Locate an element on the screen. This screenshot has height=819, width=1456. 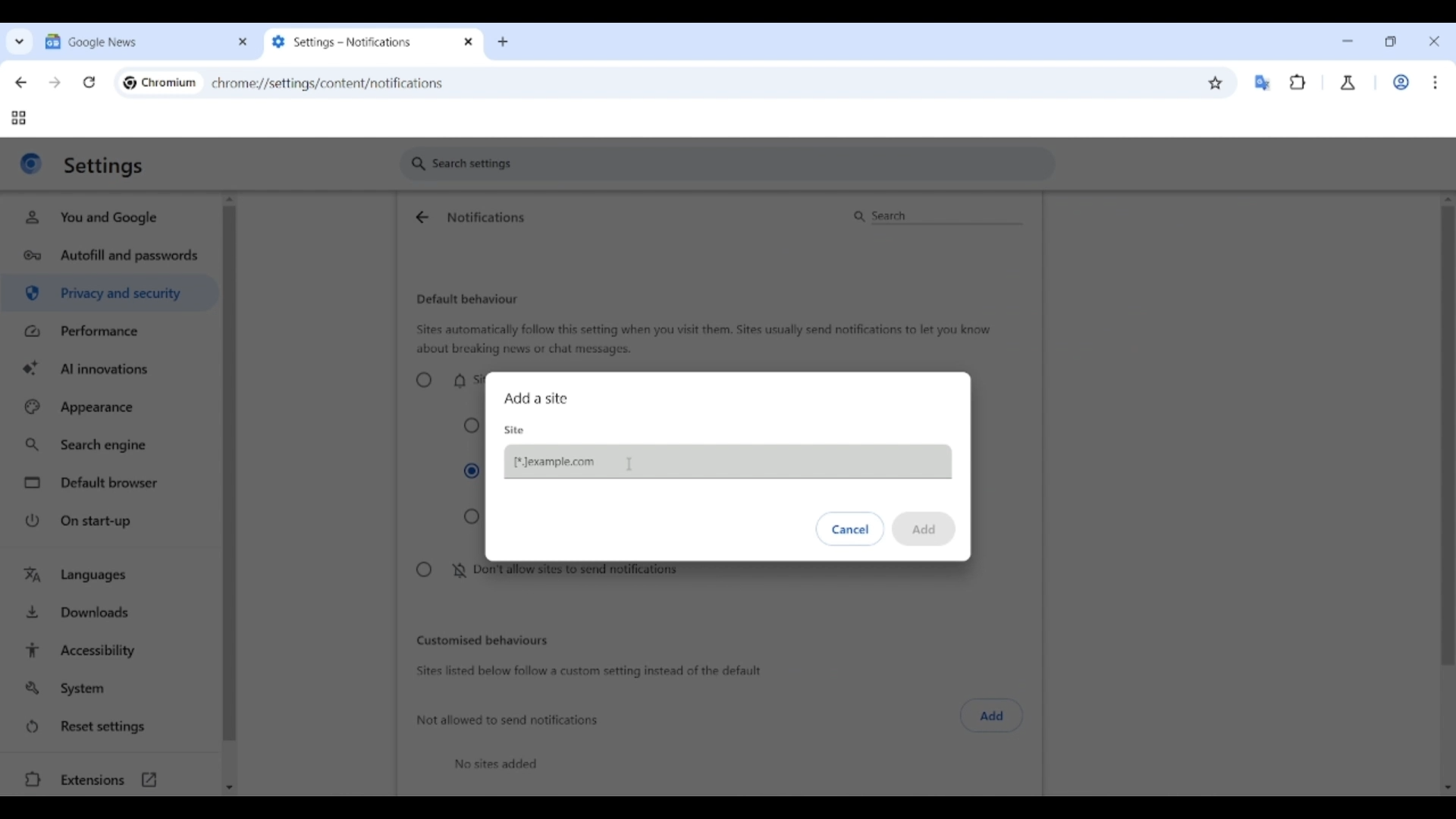
Quick slide to top is located at coordinates (1448, 199).